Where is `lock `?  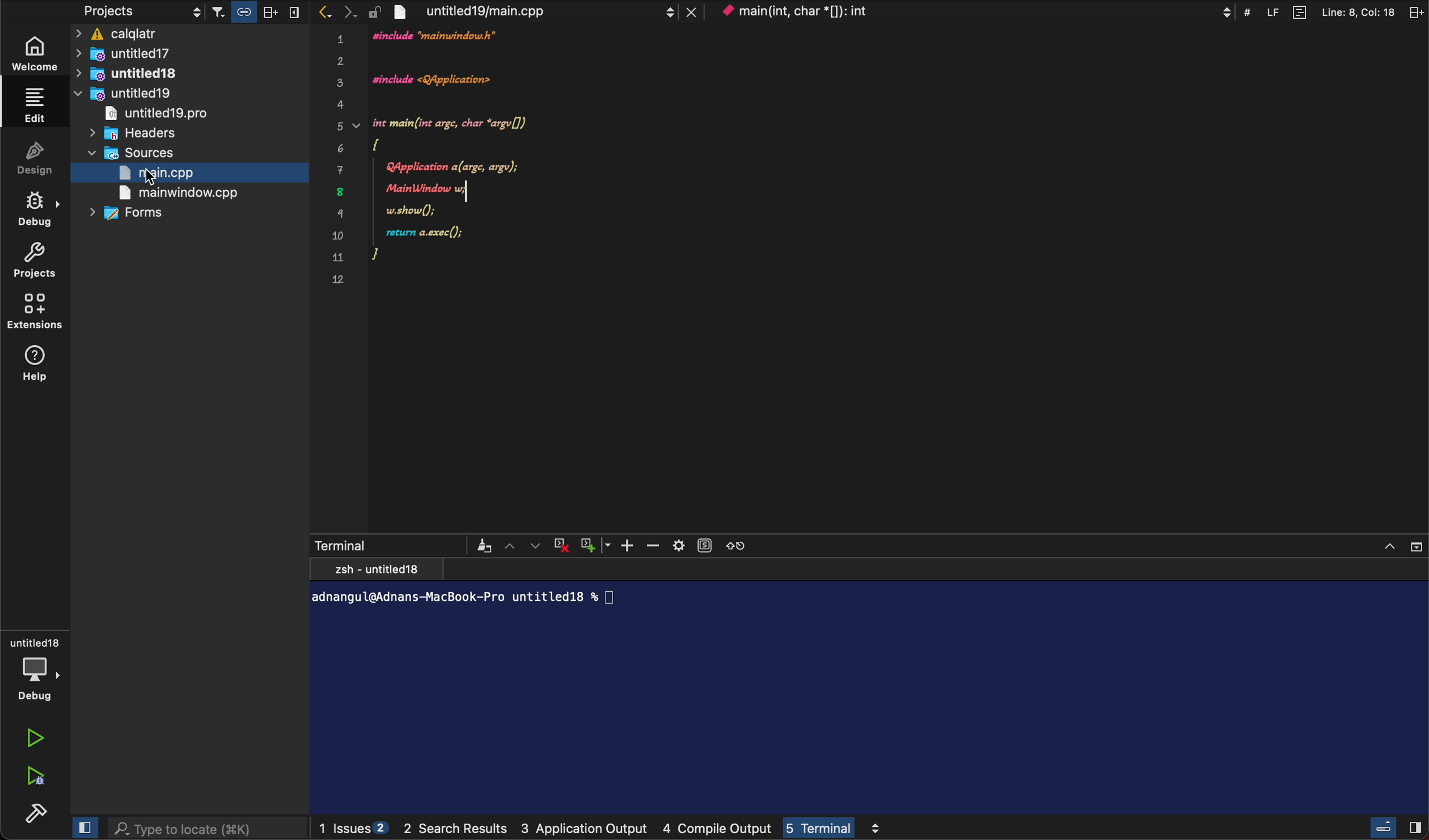 lock  is located at coordinates (375, 11).